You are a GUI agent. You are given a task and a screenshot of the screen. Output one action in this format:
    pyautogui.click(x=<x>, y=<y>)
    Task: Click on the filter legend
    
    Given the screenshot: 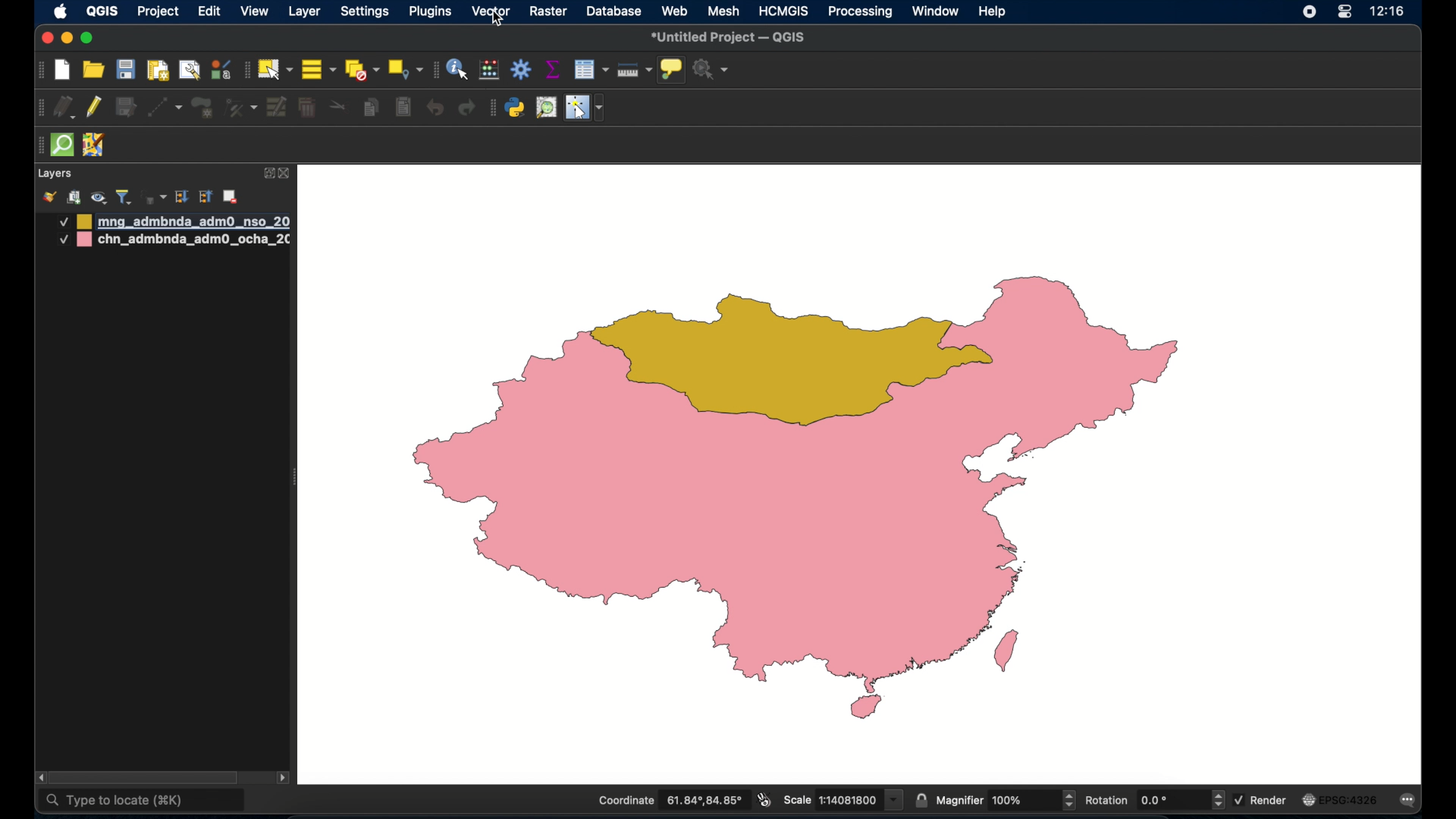 What is the action you would take?
    pyautogui.click(x=124, y=197)
    